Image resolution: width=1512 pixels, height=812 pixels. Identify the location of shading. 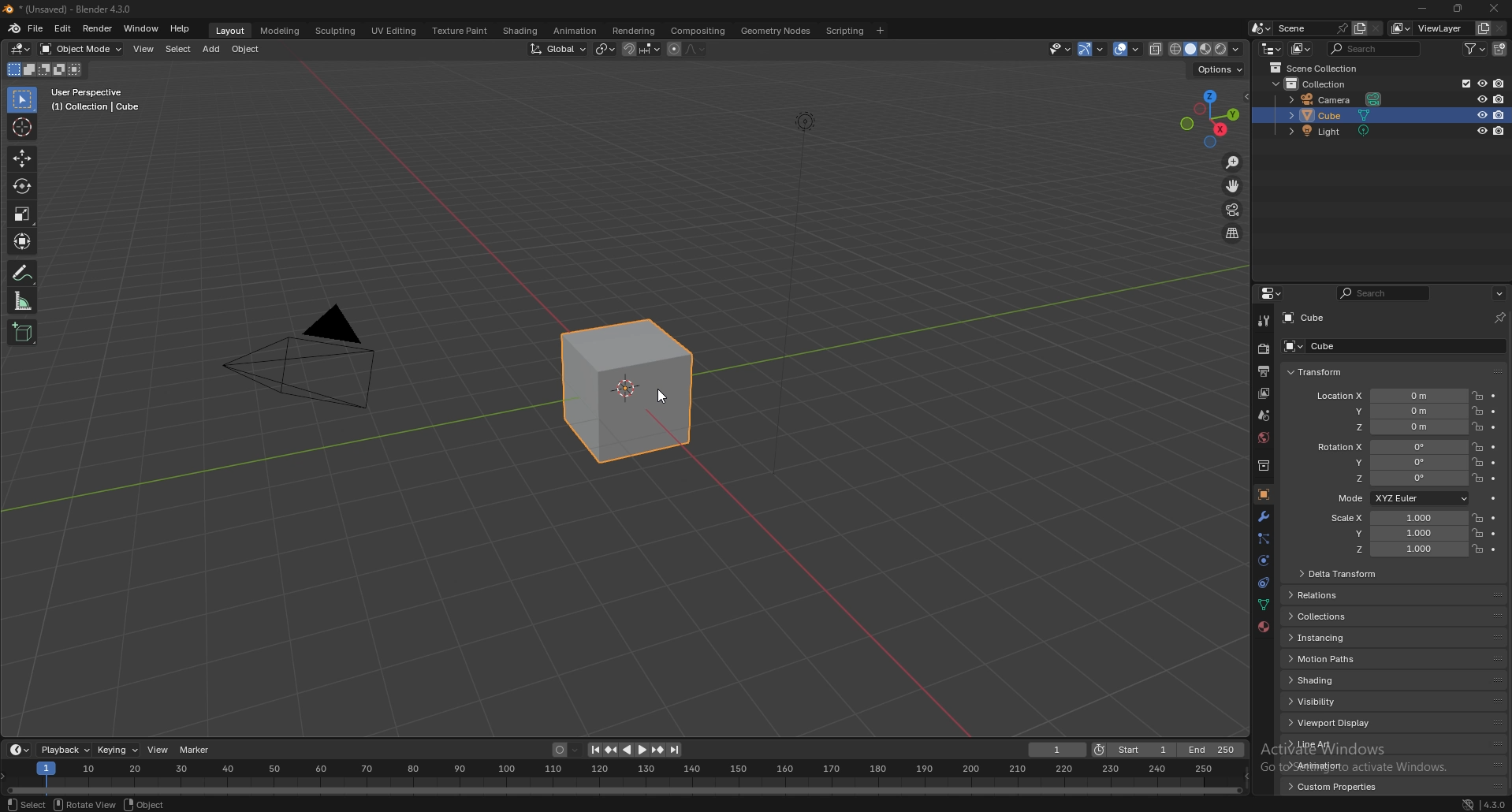
(1347, 679).